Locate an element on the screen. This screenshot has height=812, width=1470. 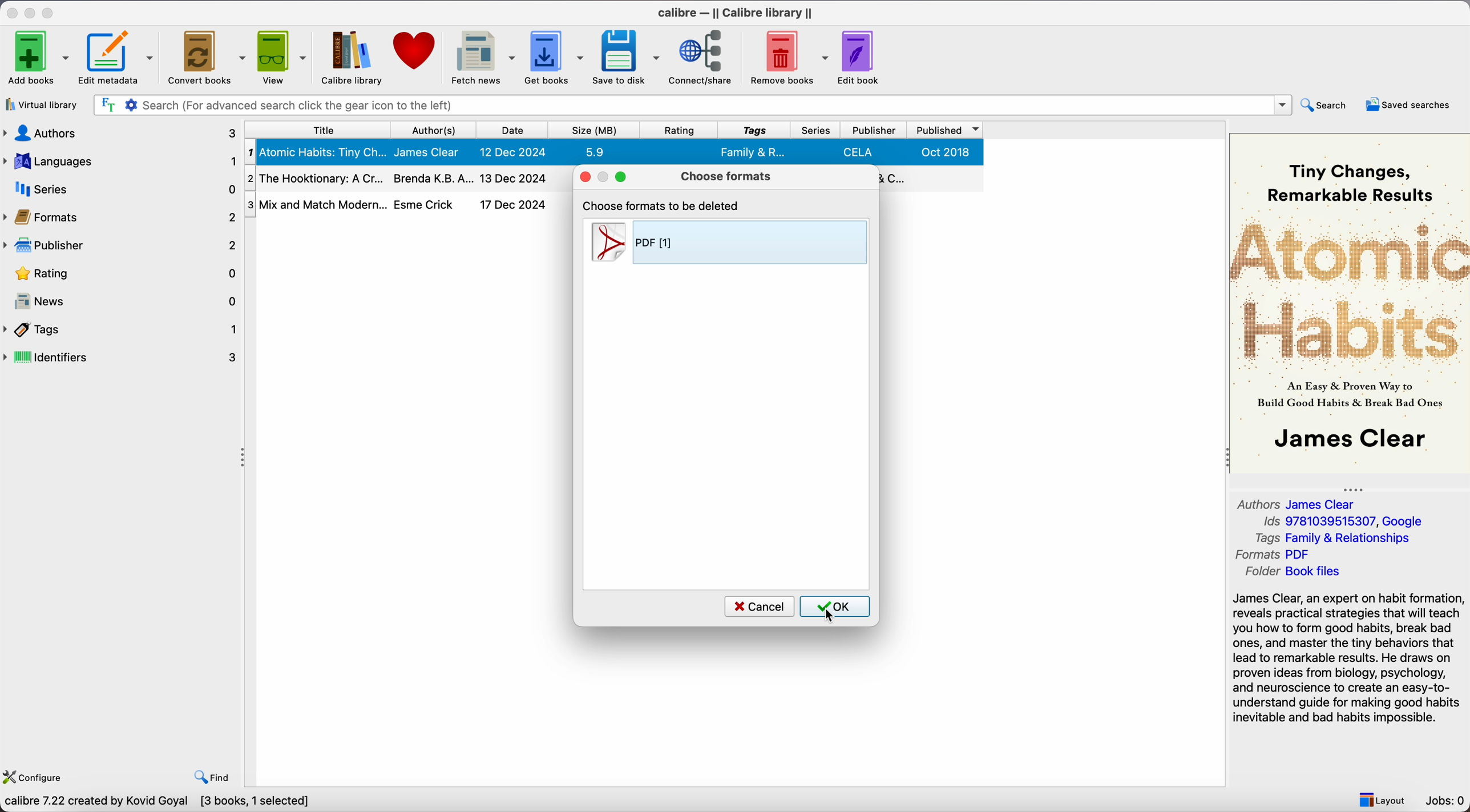
saved searches is located at coordinates (1407, 105).